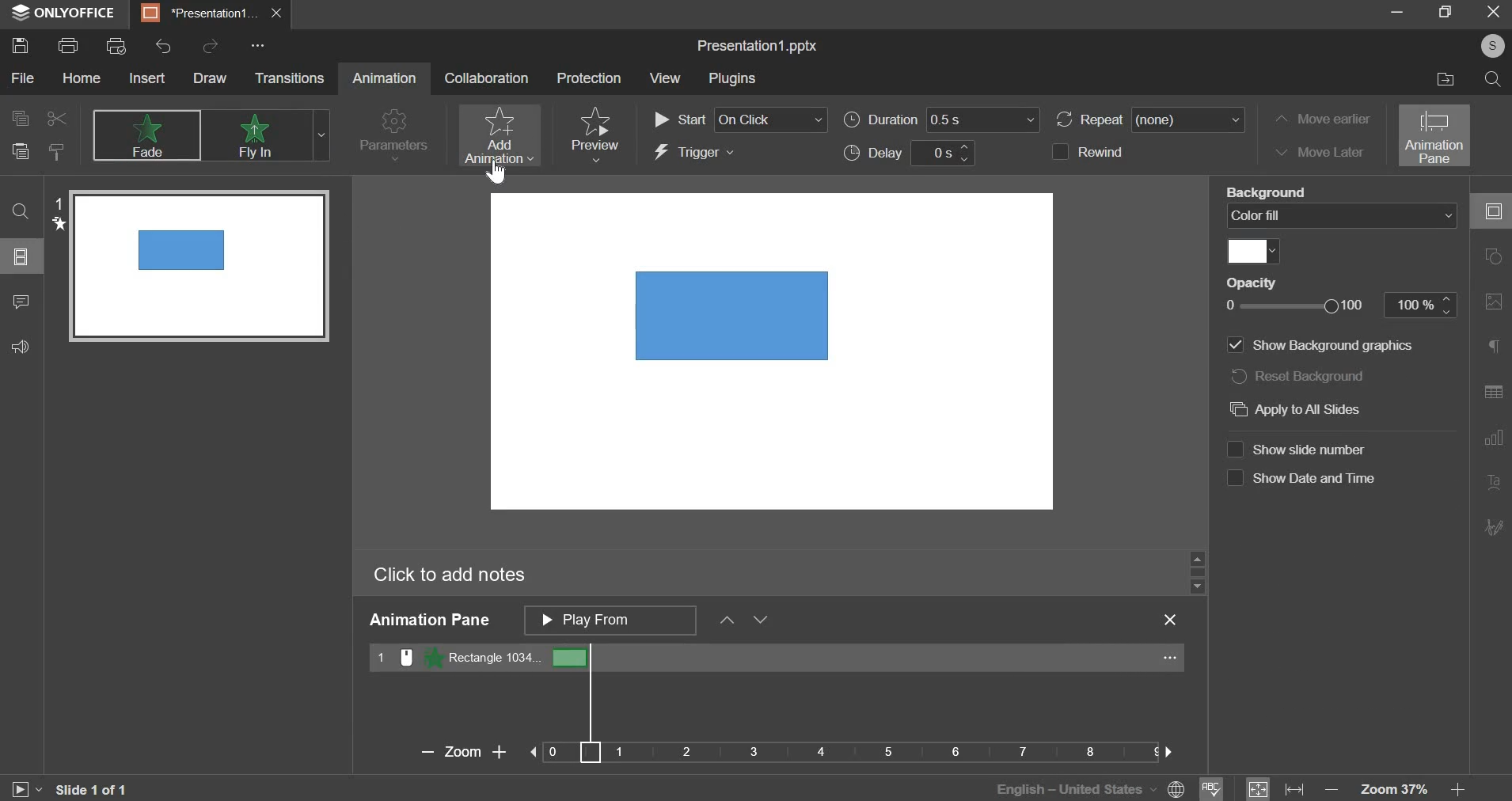 This screenshot has height=801, width=1512. Describe the element at coordinates (1173, 622) in the screenshot. I see `Close` at that location.